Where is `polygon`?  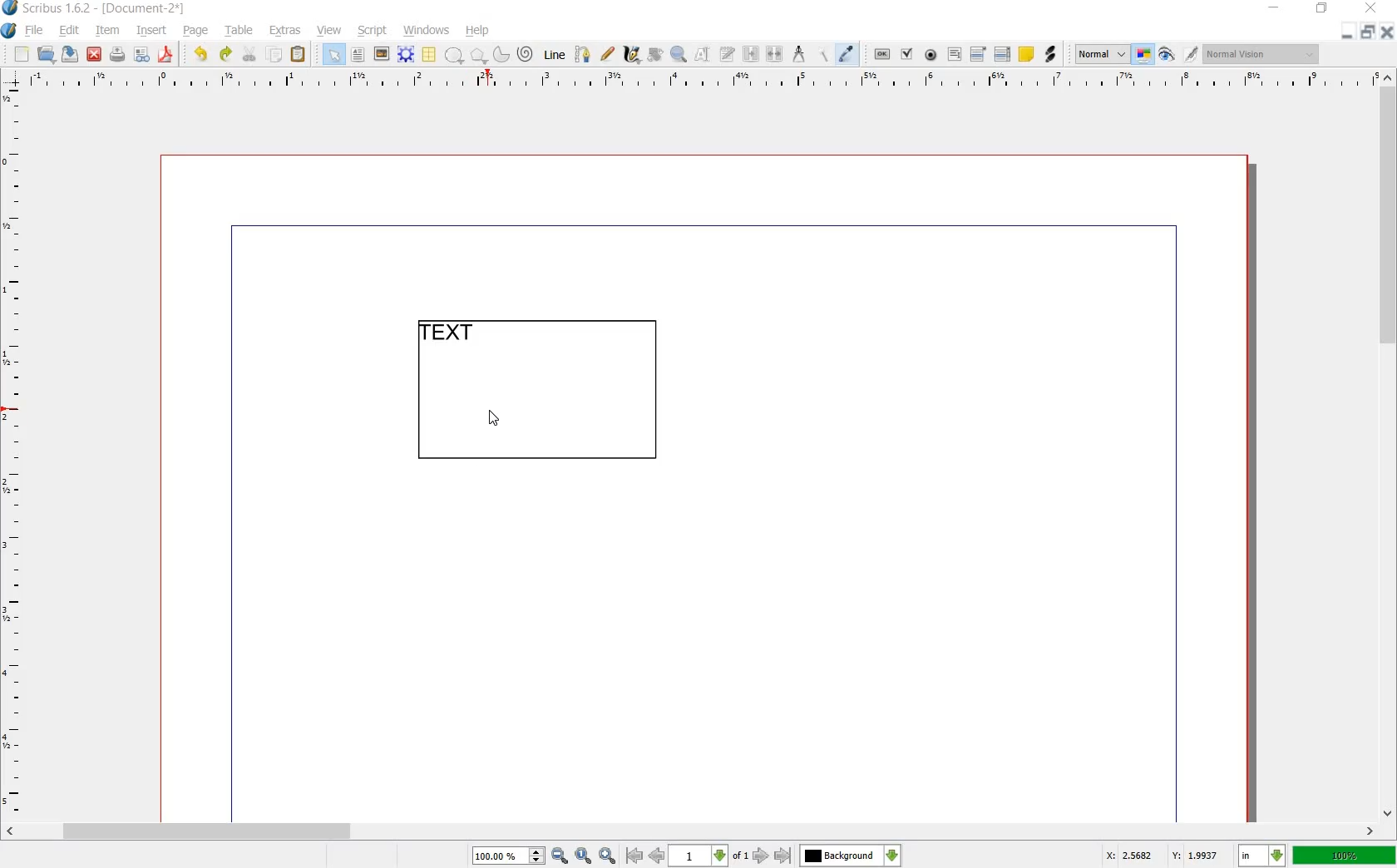 polygon is located at coordinates (476, 55).